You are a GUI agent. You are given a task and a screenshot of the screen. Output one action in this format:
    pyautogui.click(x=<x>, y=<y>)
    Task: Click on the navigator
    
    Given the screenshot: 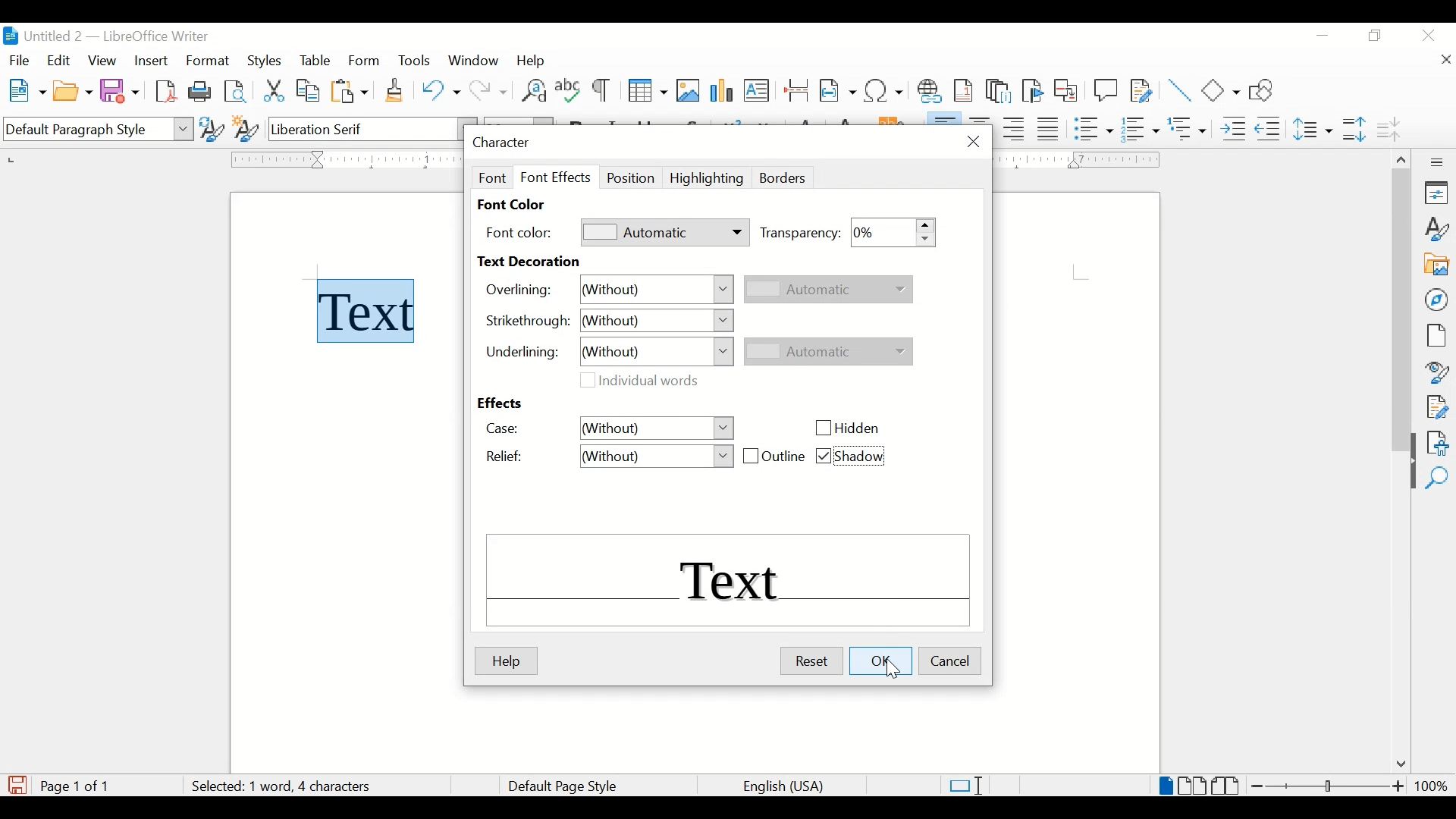 What is the action you would take?
    pyautogui.click(x=1438, y=300)
    